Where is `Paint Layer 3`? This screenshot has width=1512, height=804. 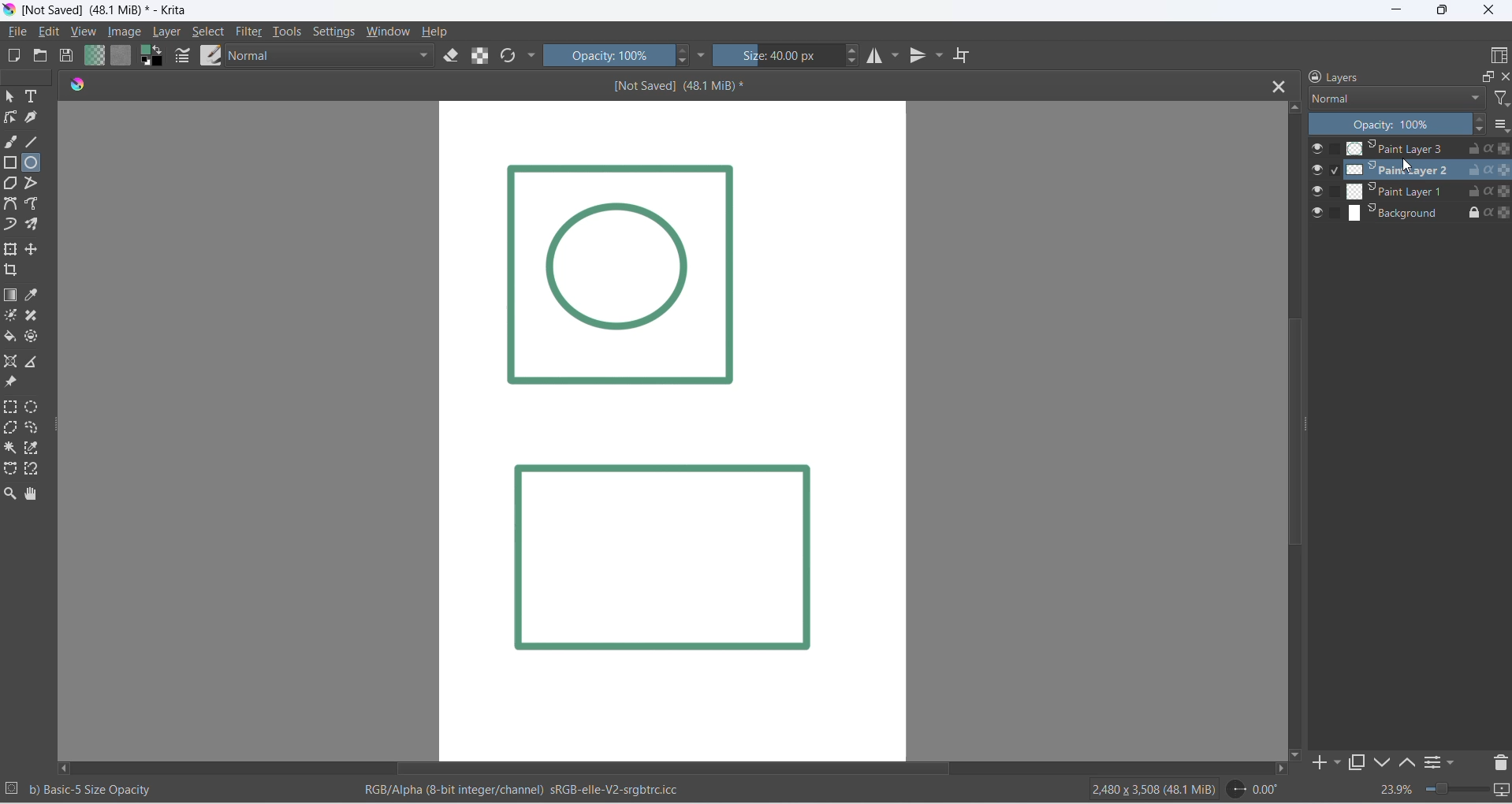 Paint Layer 3 is located at coordinates (1399, 147).